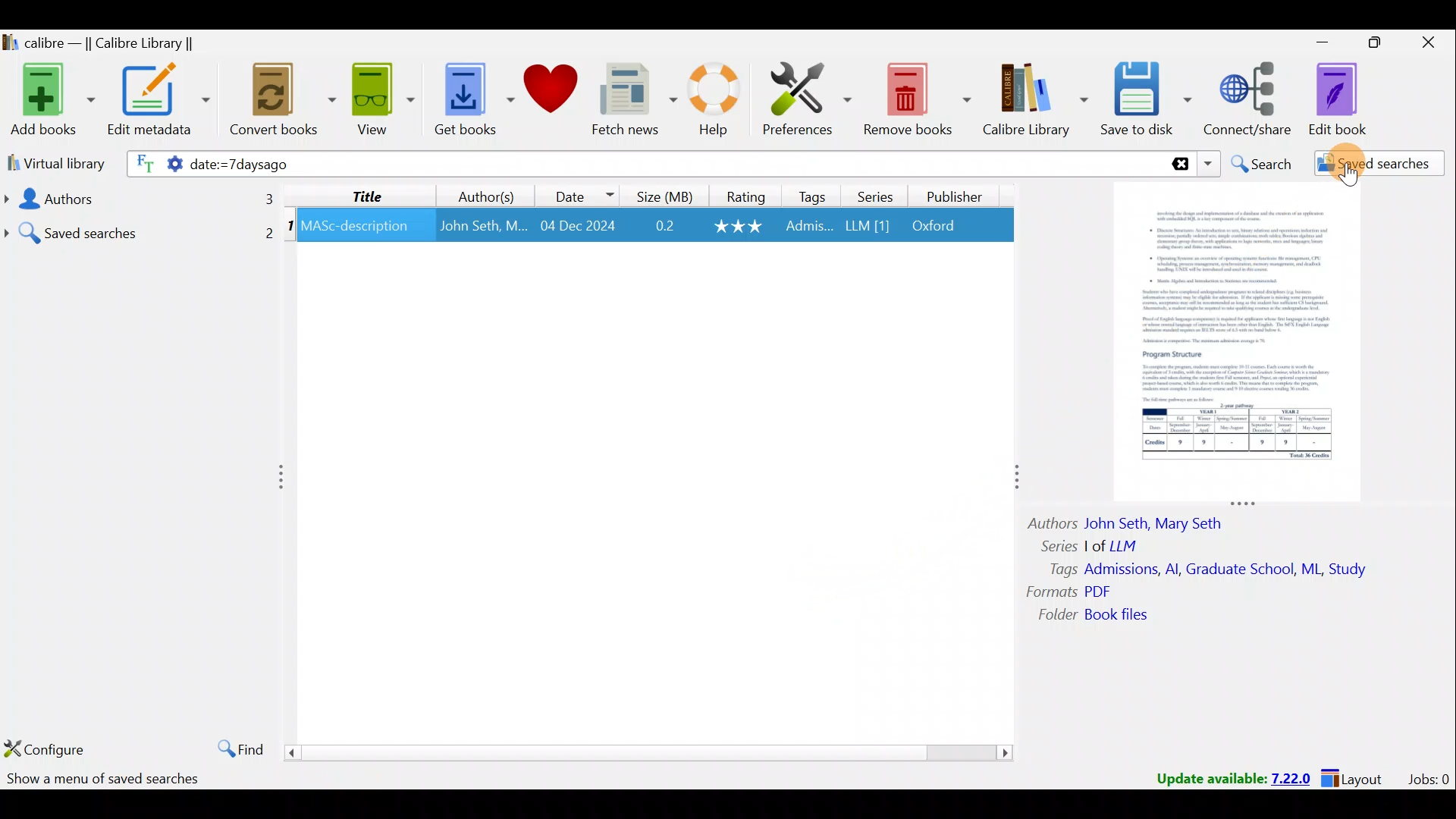  I want to click on LLM [1], so click(866, 228).